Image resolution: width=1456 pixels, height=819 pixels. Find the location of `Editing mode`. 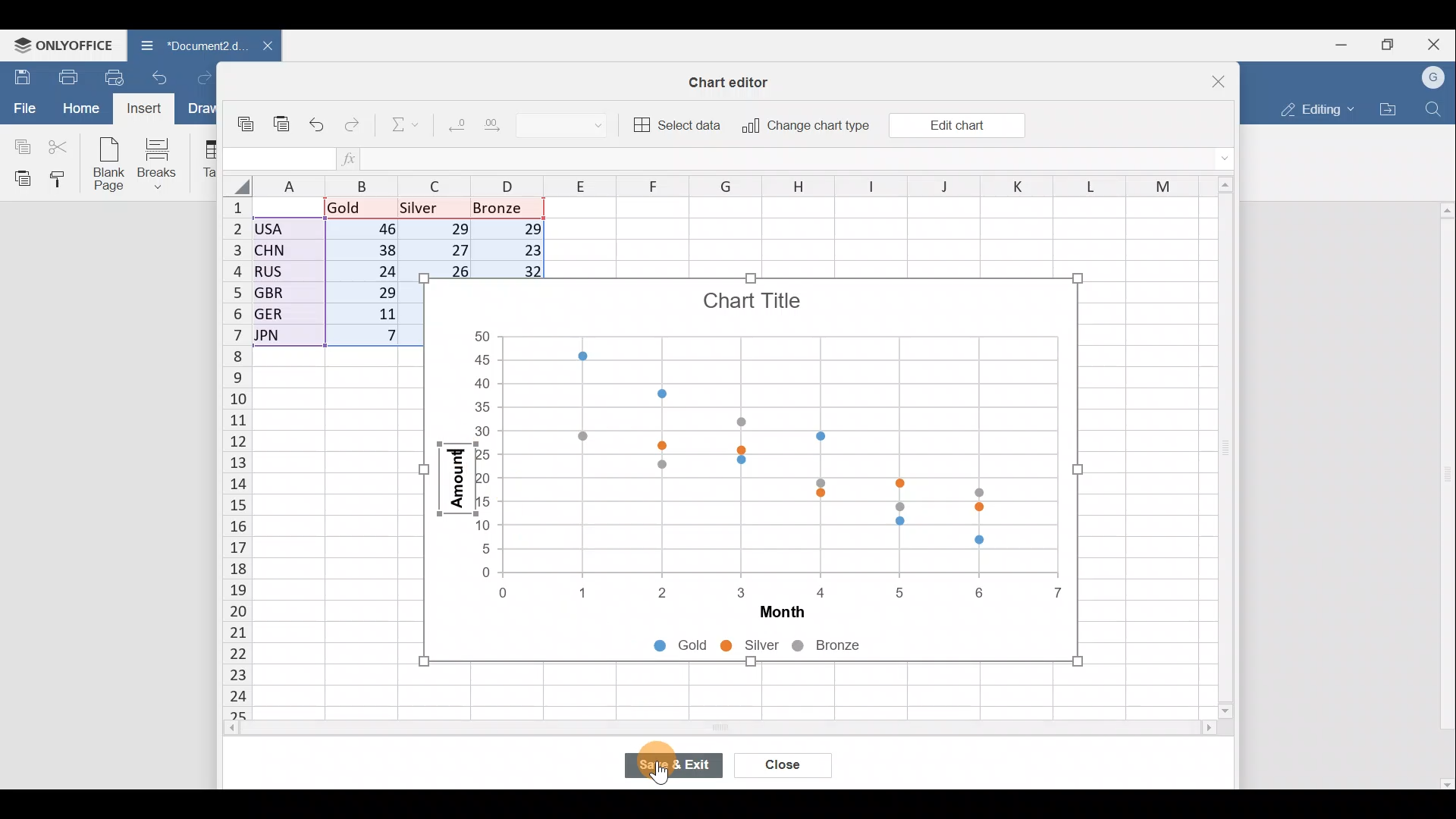

Editing mode is located at coordinates (1313, 109).